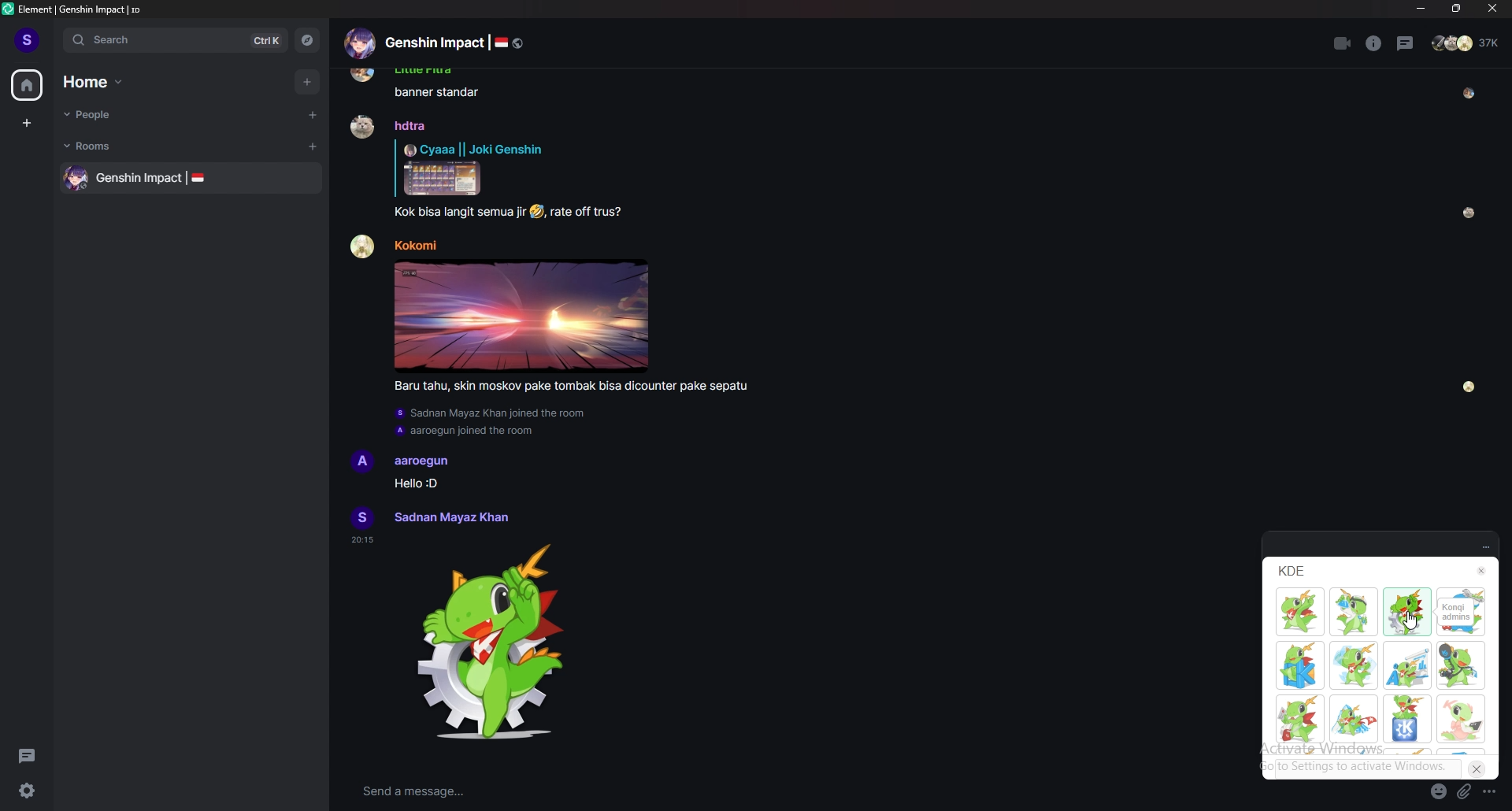  I want to click on home, so click(102, 82).